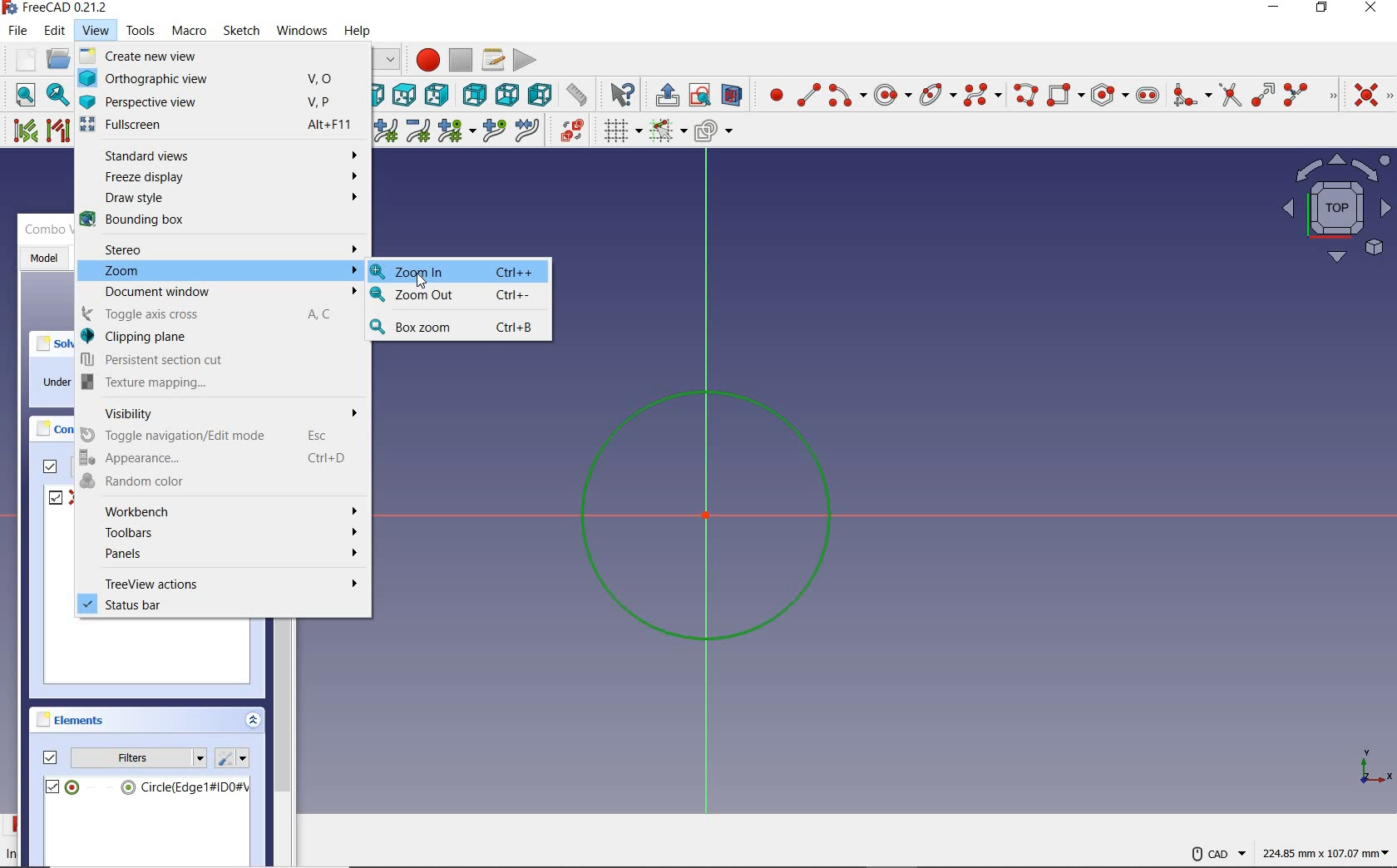  What do you see at coordinates (1325, 855) in the screenshot?
I see `coordintes` at bounding box center [1325, 855].